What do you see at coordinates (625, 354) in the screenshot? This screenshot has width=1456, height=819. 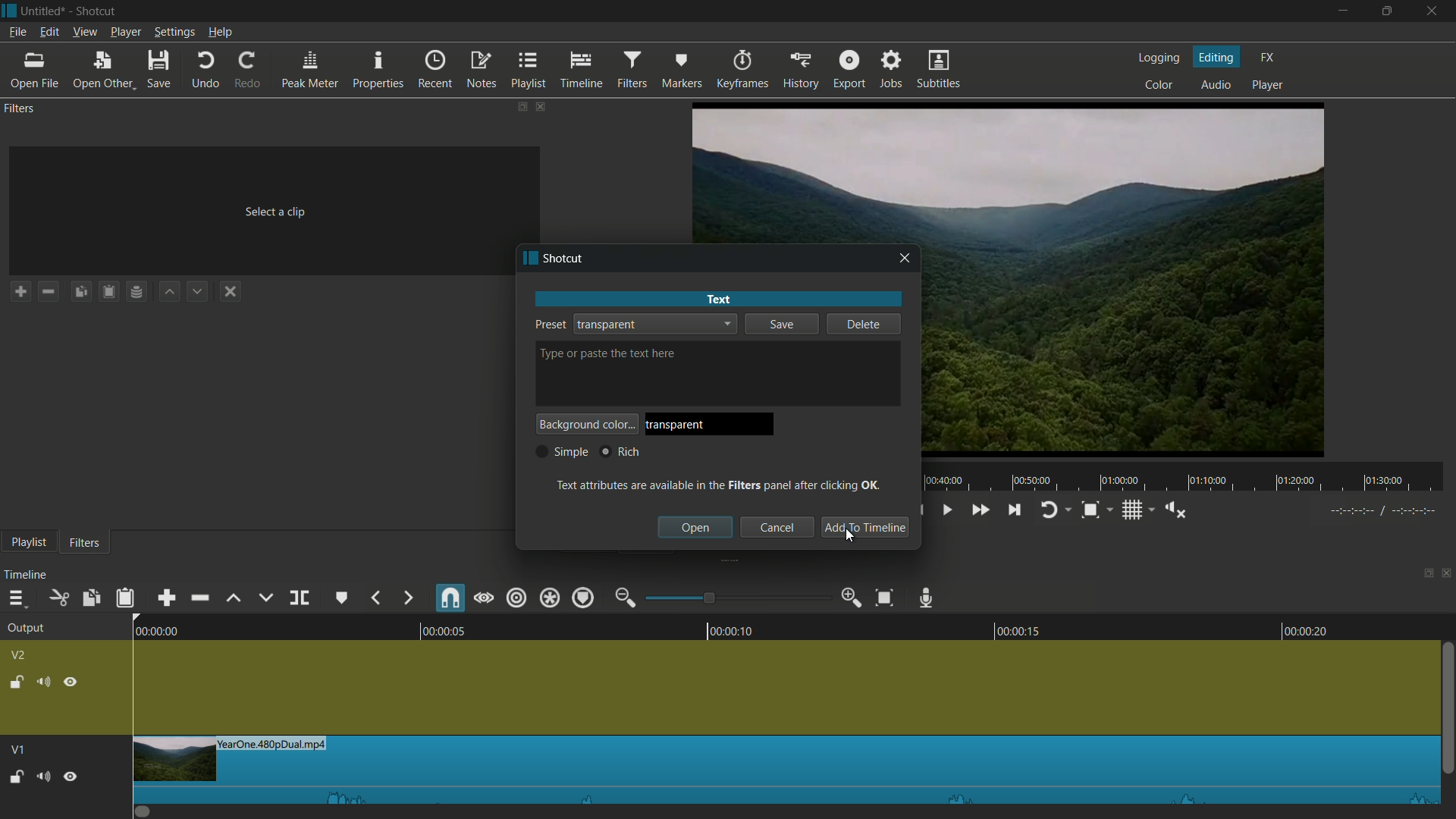 I see `defaults` at bounding box center [625, 354].